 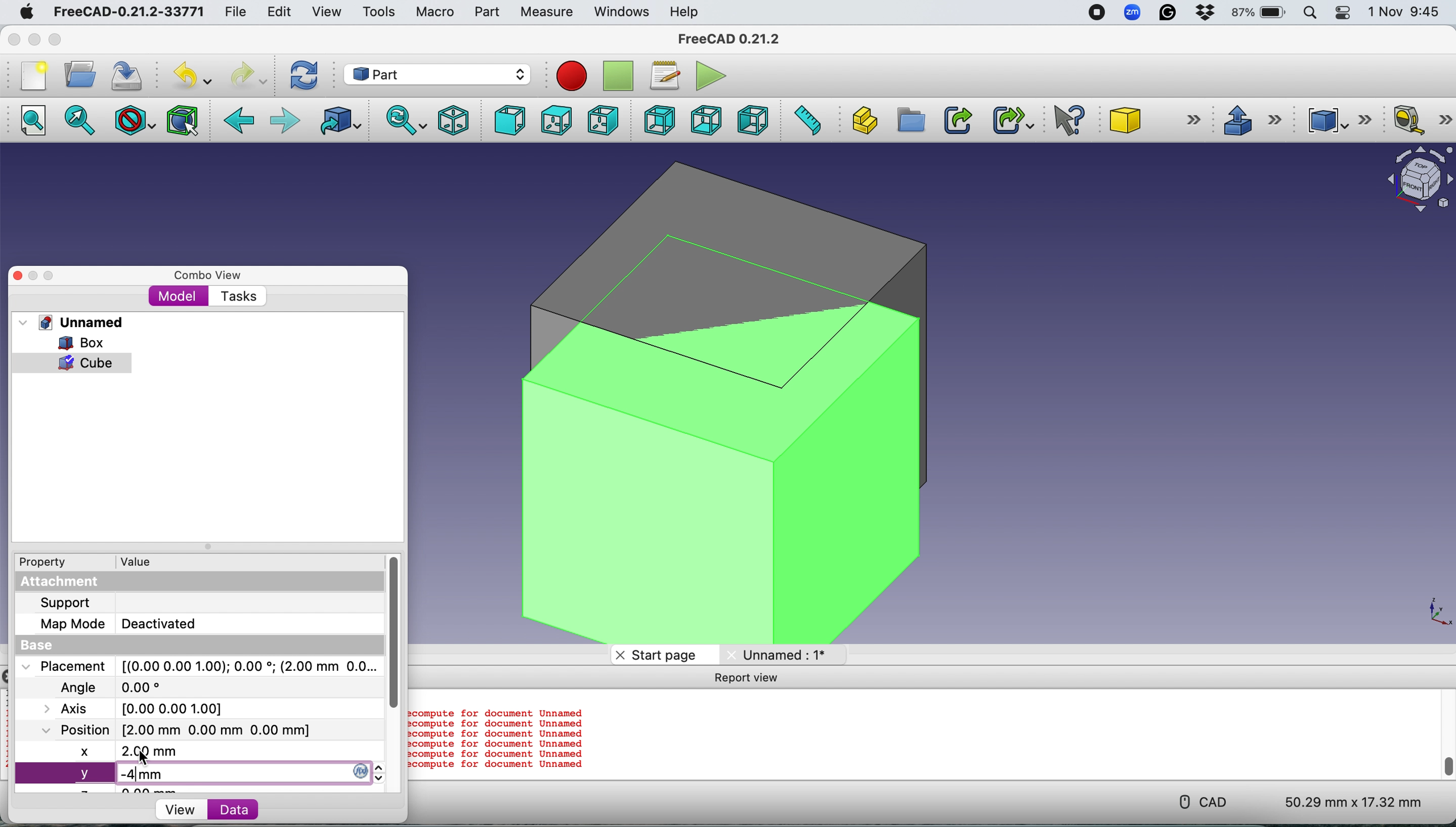 What do you see at coordinates (454, 119) in the screenshot?
I see `Isometric` at bounding box center [454, 119].